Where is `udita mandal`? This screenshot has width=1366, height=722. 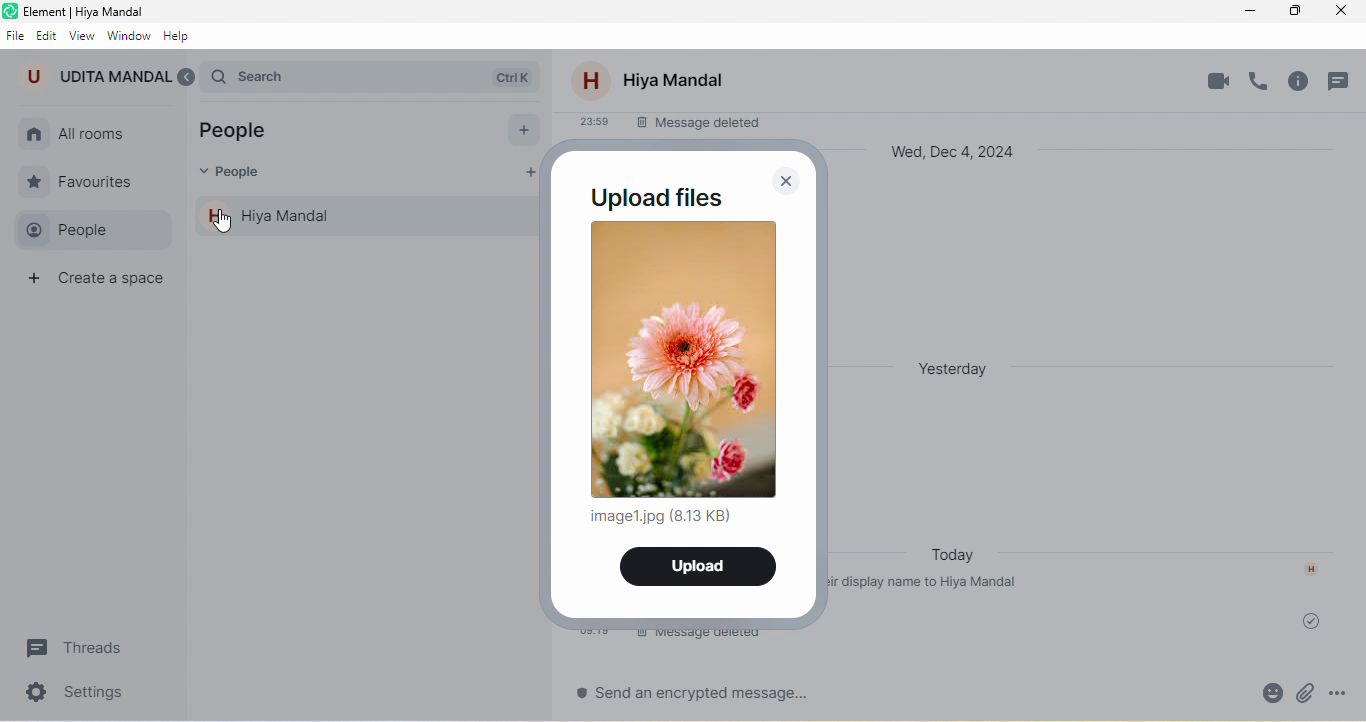
udita mandal is located at coordinates (96, 75).